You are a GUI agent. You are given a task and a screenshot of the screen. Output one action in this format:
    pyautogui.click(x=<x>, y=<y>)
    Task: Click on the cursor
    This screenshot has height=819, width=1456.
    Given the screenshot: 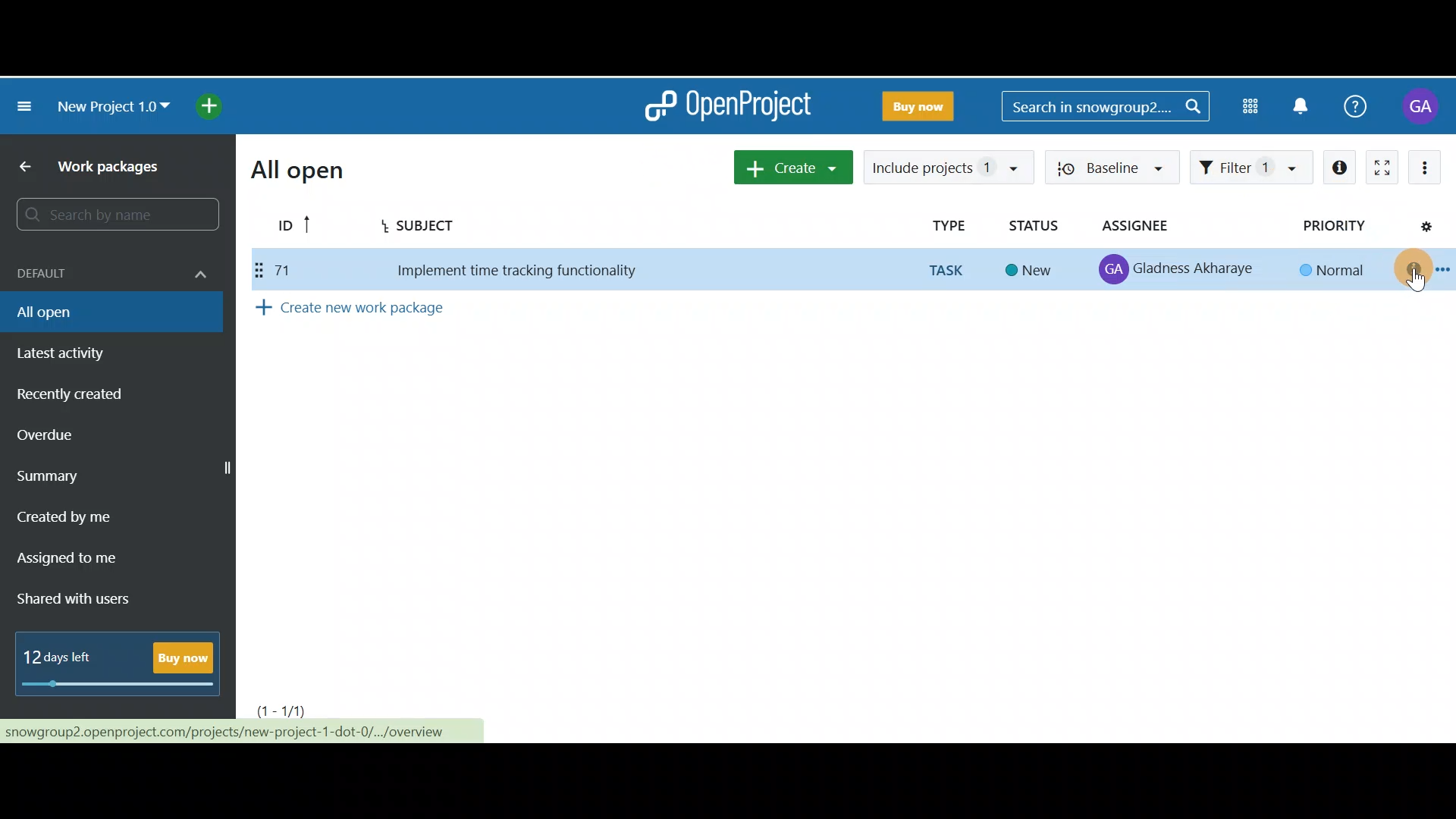 What is the action you would take?
    pyautogui.click(x=1414, y=282)
    